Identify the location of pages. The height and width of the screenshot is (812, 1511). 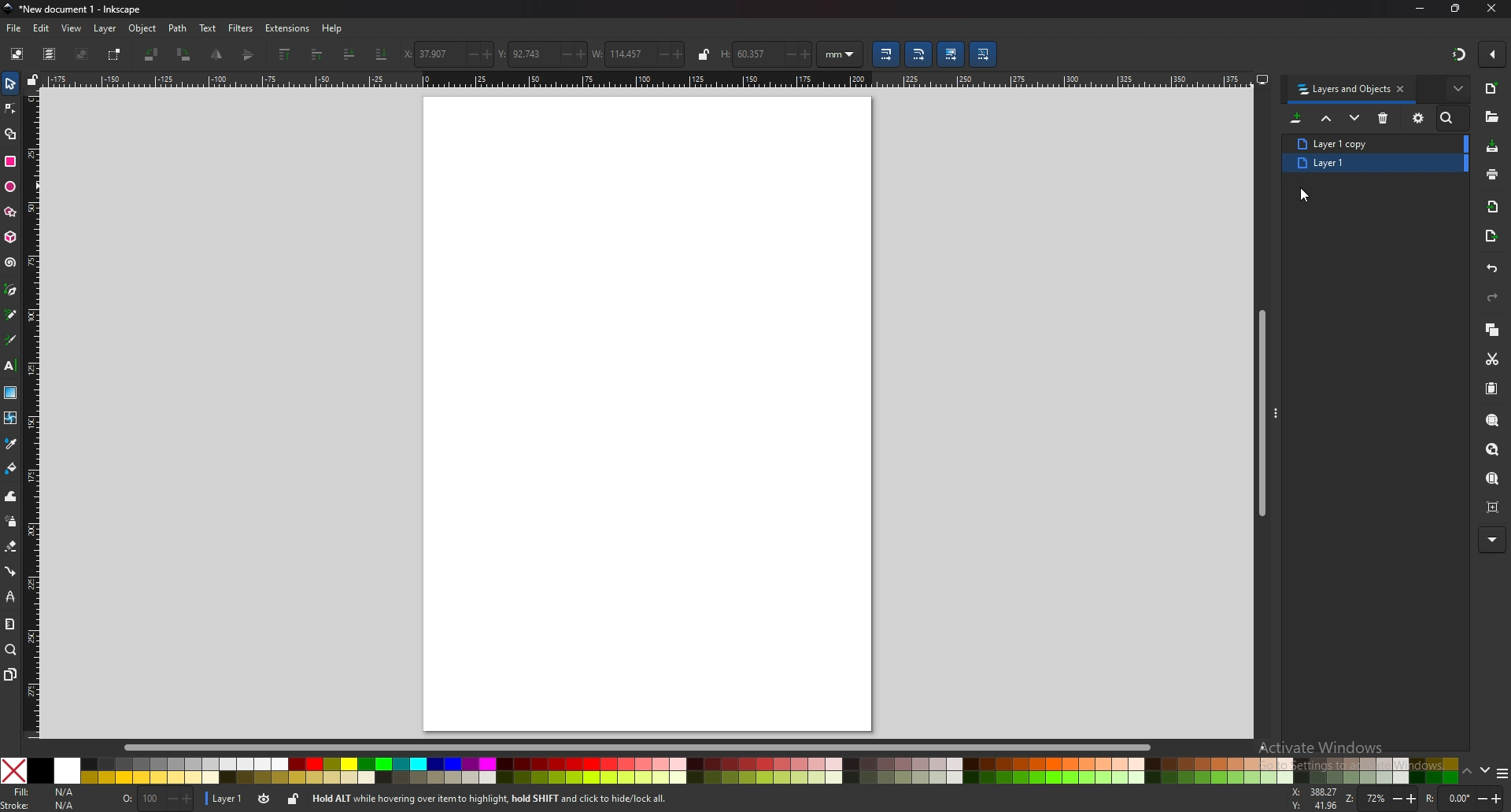
(10, 674).